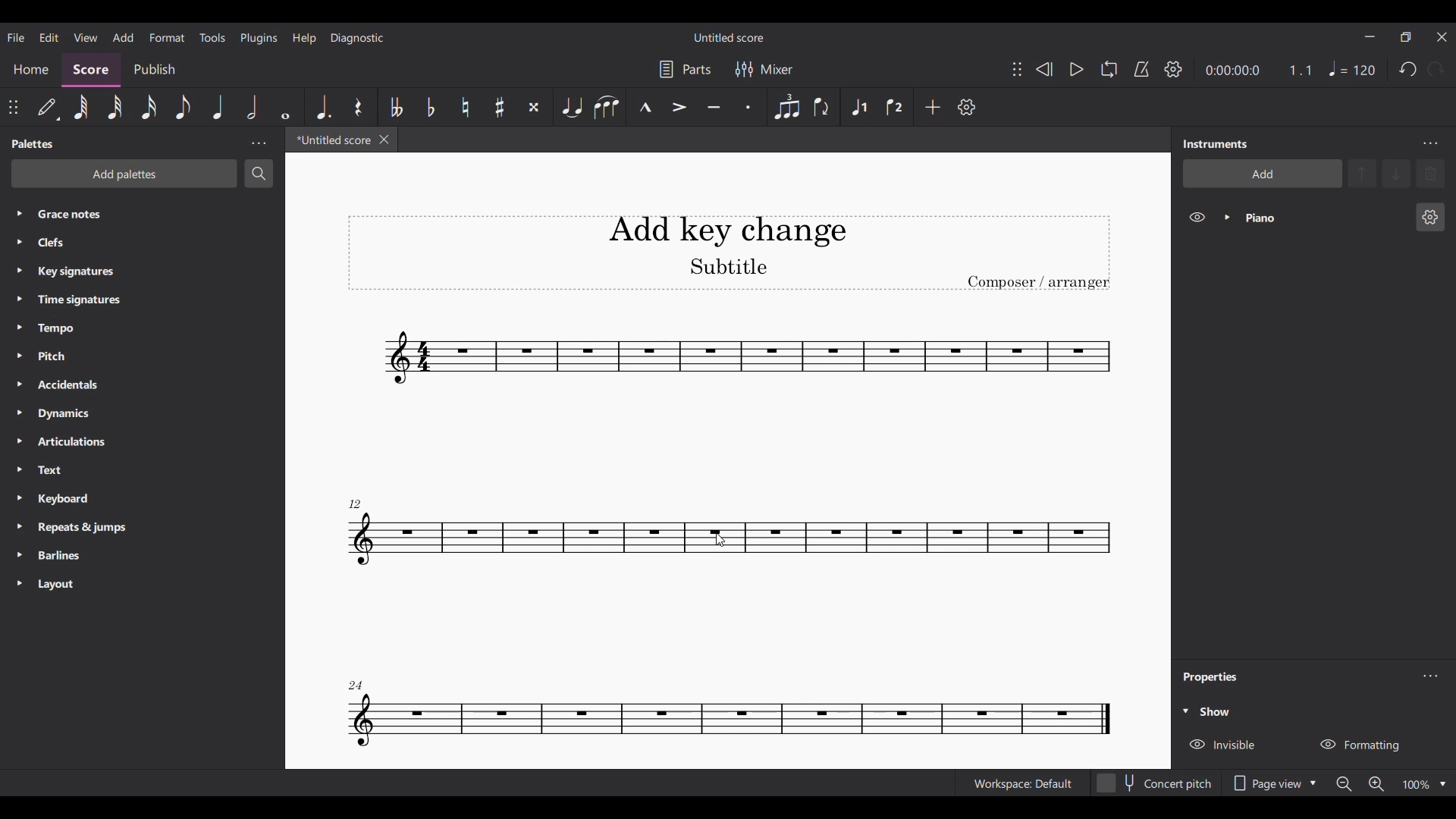 The width and height of the screenshot is (1456, 819). Describe the element at coordinates (1276, 783) in the screenshot. I see `Page view options` at that location.